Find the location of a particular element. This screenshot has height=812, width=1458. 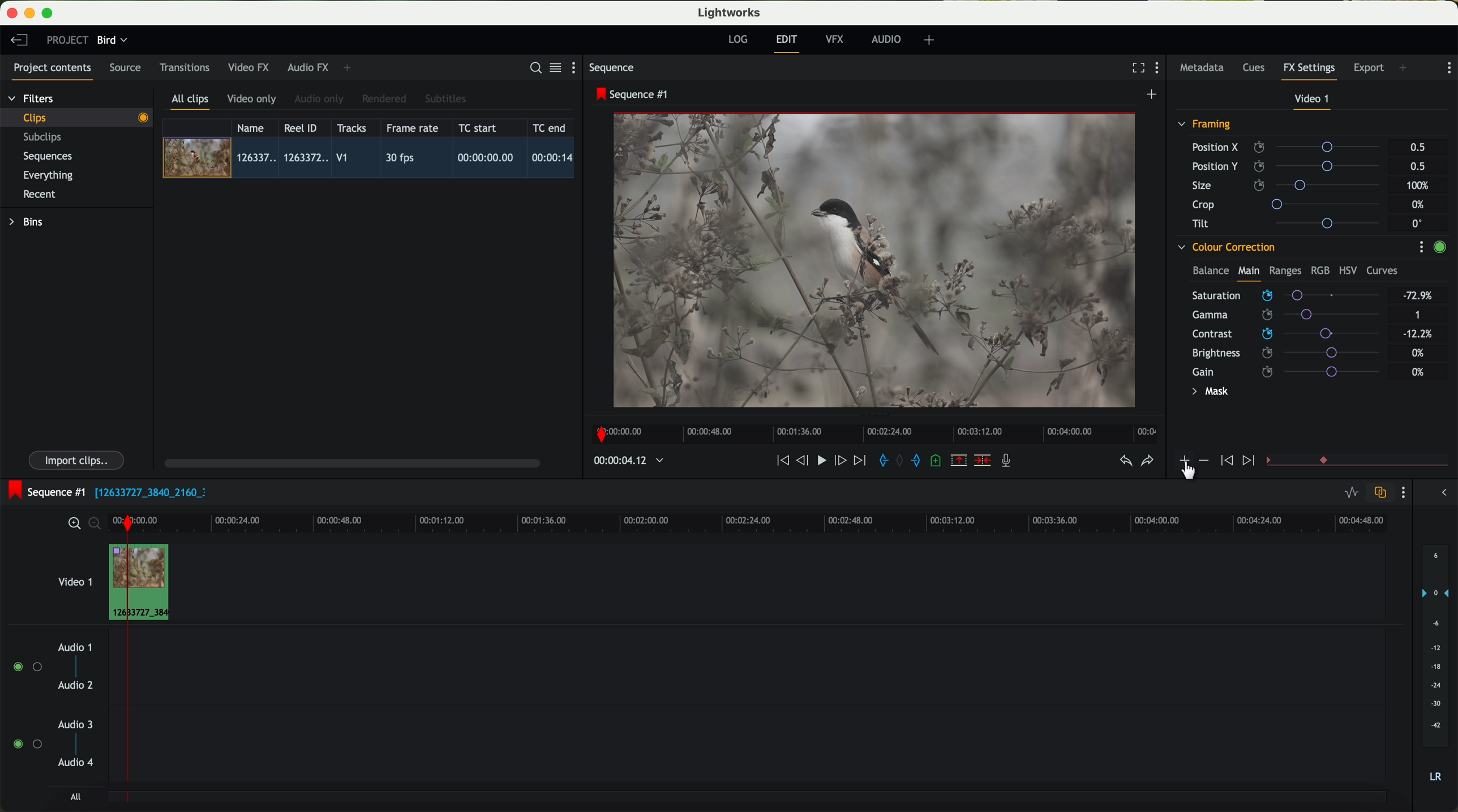

log is located at coordinates (737, 40).